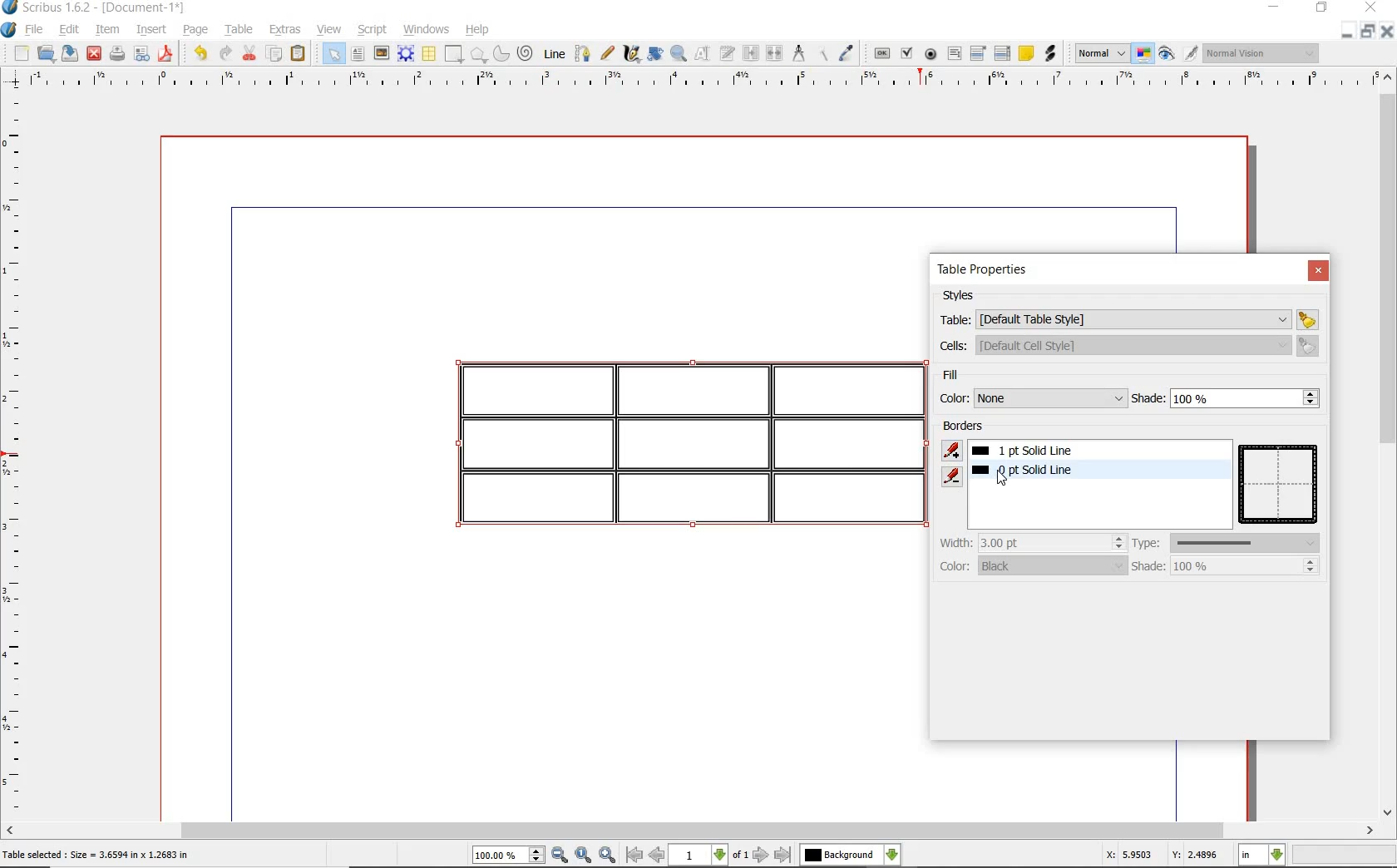 The image size is (1397, 868). What do you see at coordinates (9, 30) in the screenshot?
I see `system logo` at bounding box center [9, 30].